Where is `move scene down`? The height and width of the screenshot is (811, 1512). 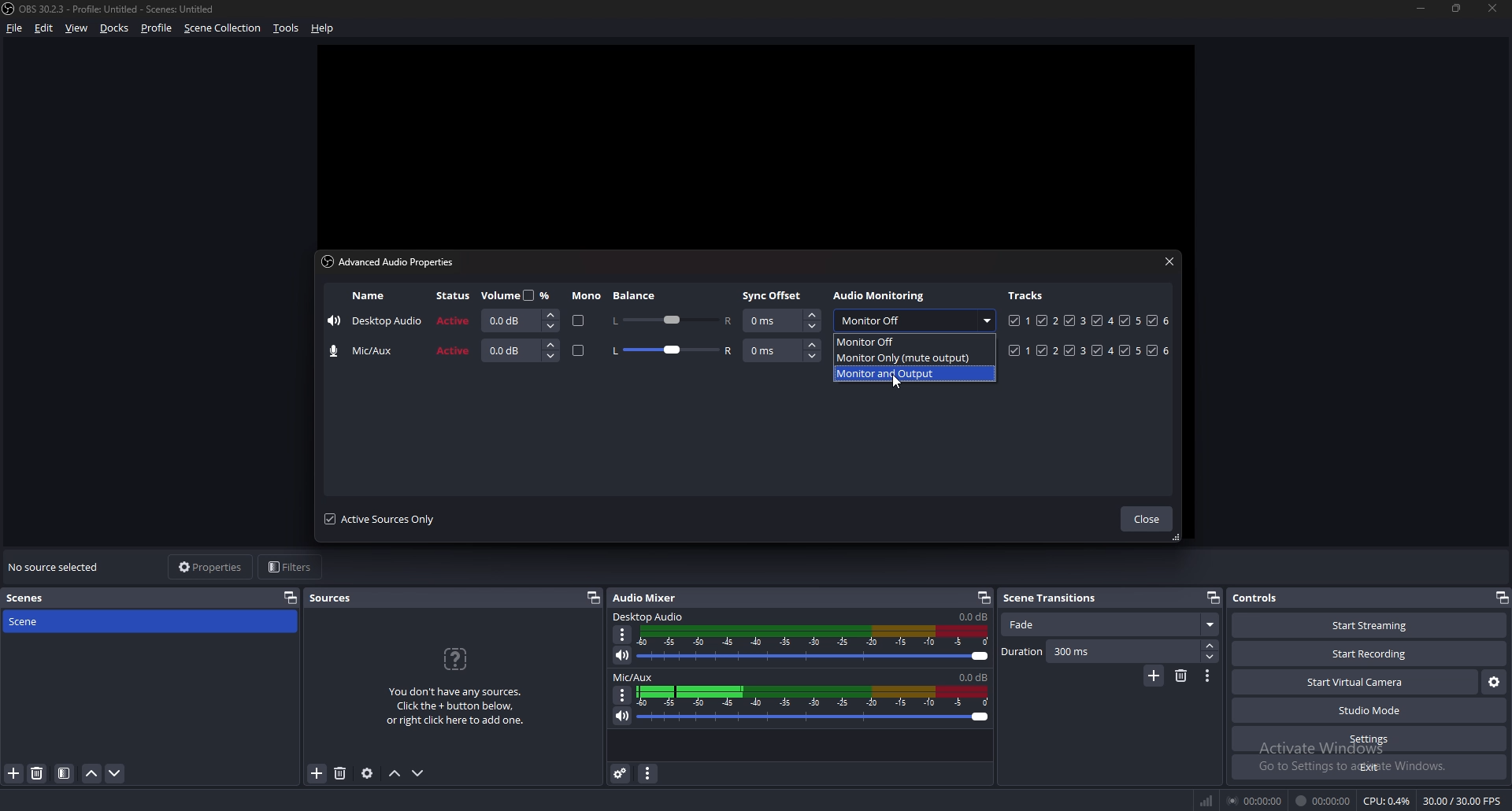
move scene down is located at coordinates (115, 774).